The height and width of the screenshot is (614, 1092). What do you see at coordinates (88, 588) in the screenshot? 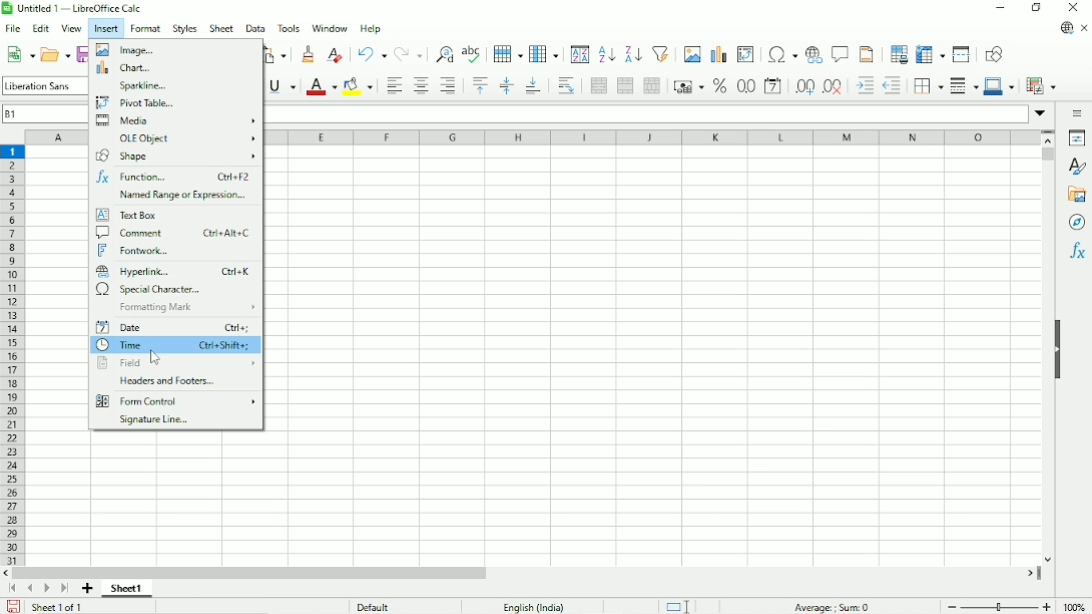
I see `Add sheet` at bounding box center [88, 588].